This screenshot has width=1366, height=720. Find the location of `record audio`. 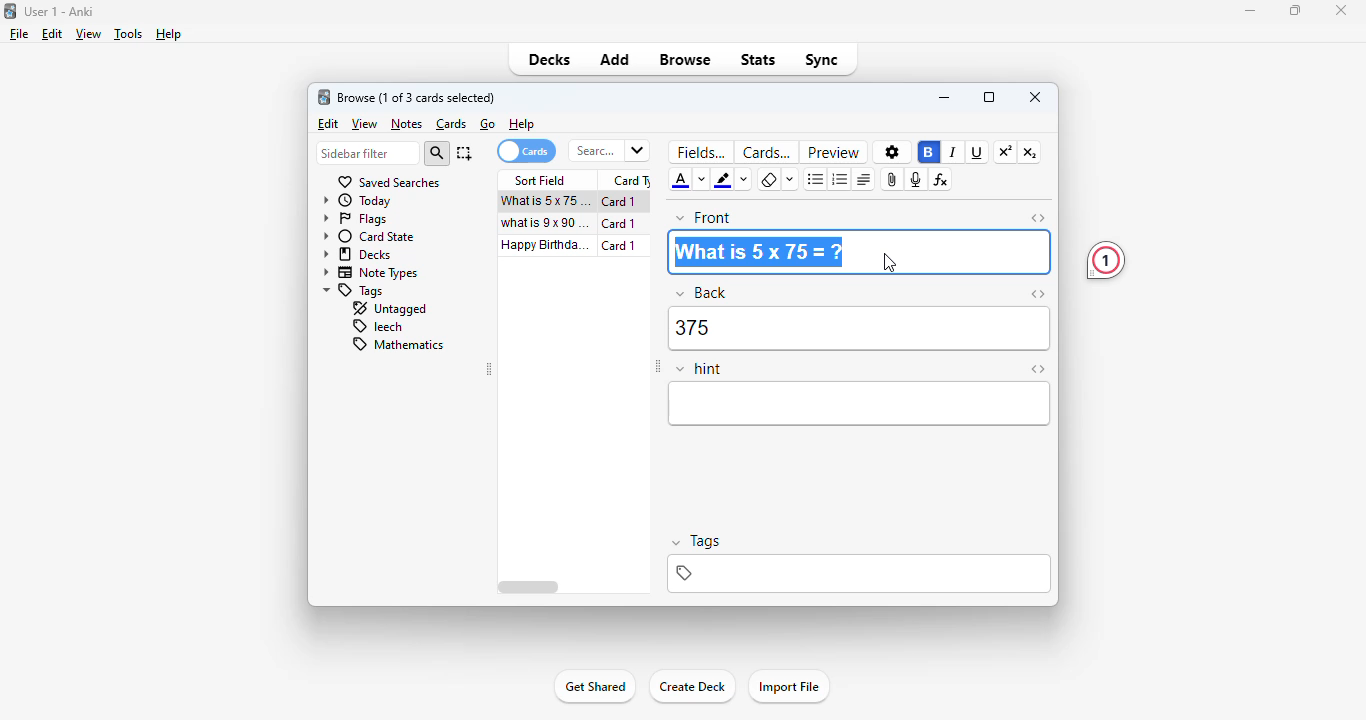

record audio is located at coordinates (917, 179).